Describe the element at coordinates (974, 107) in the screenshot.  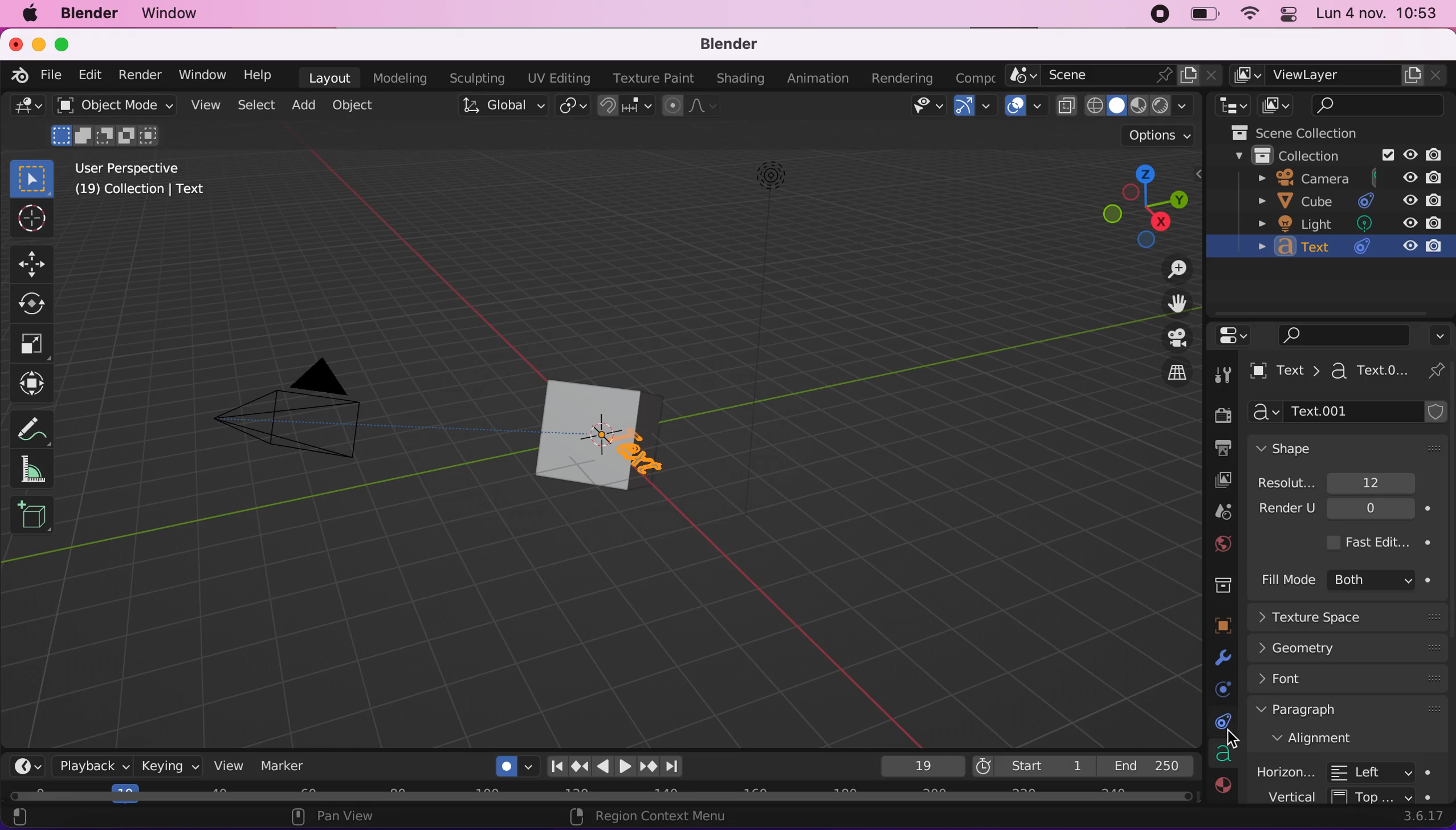
I see `gizmos` at that location.